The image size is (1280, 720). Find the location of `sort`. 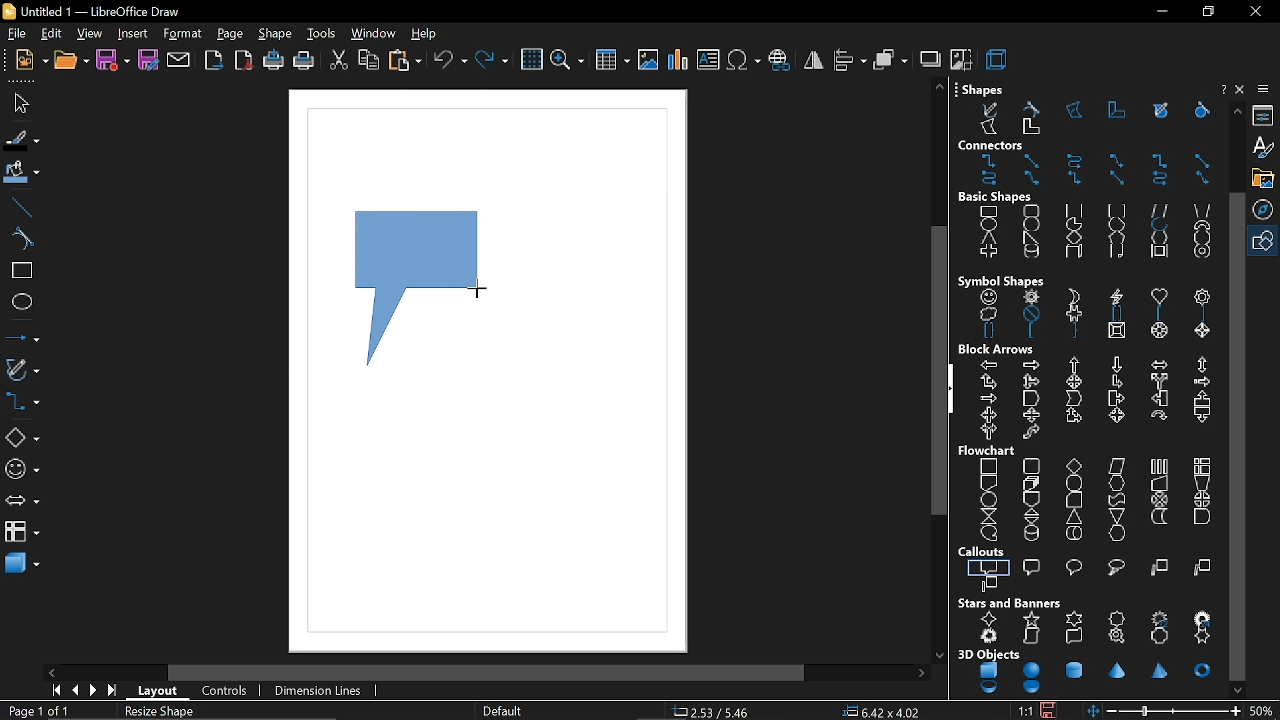

sort is located at coordinates (1030, 516).